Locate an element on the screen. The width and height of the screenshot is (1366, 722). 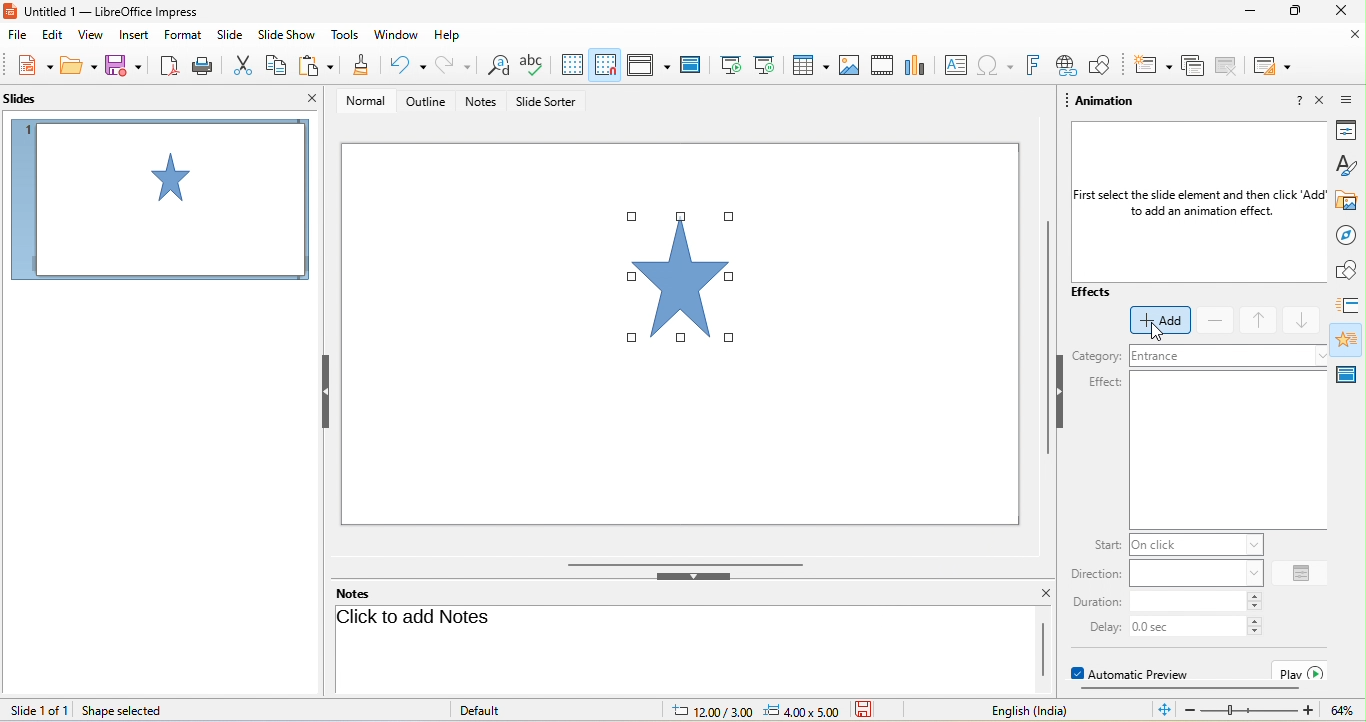
slide sorter is located at coordinates (554, 103).